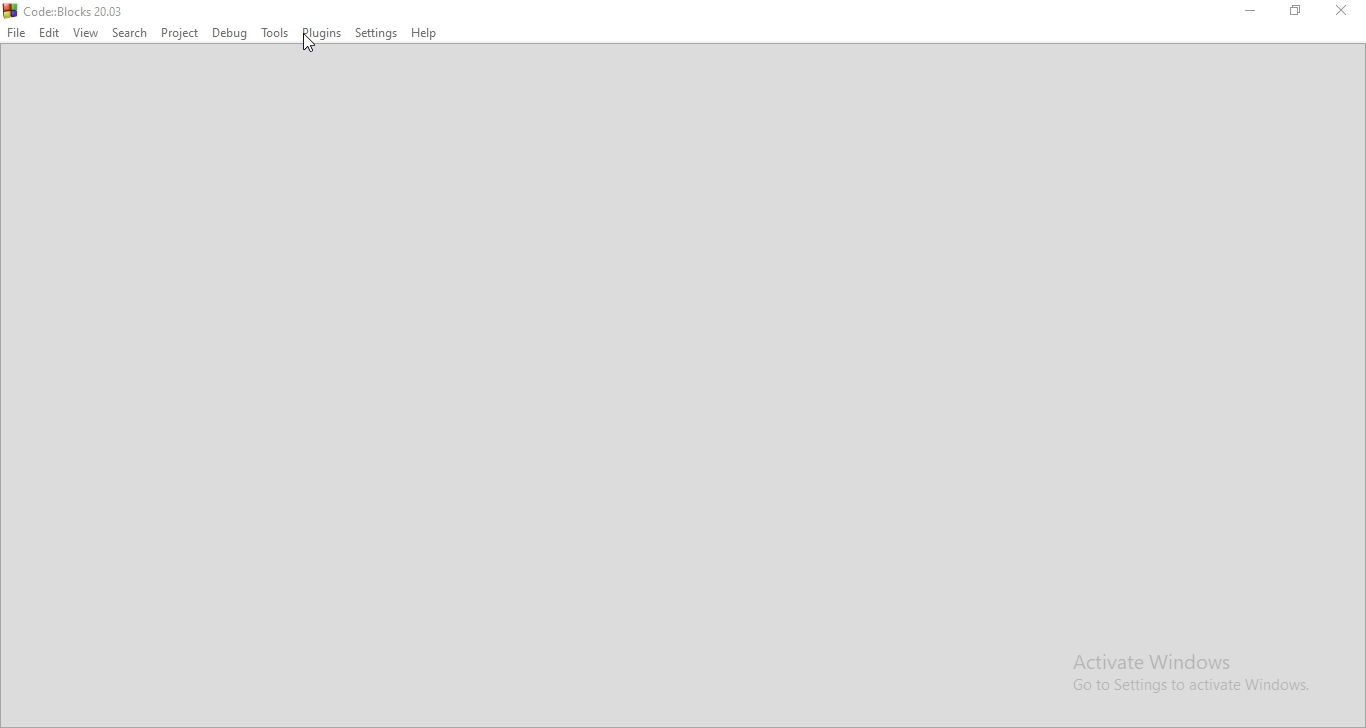 The image size is (1366, 728). What do you see at coordinates (275, 34) in the screenshot?
I see `Tools` at bounding box center [275, 34].